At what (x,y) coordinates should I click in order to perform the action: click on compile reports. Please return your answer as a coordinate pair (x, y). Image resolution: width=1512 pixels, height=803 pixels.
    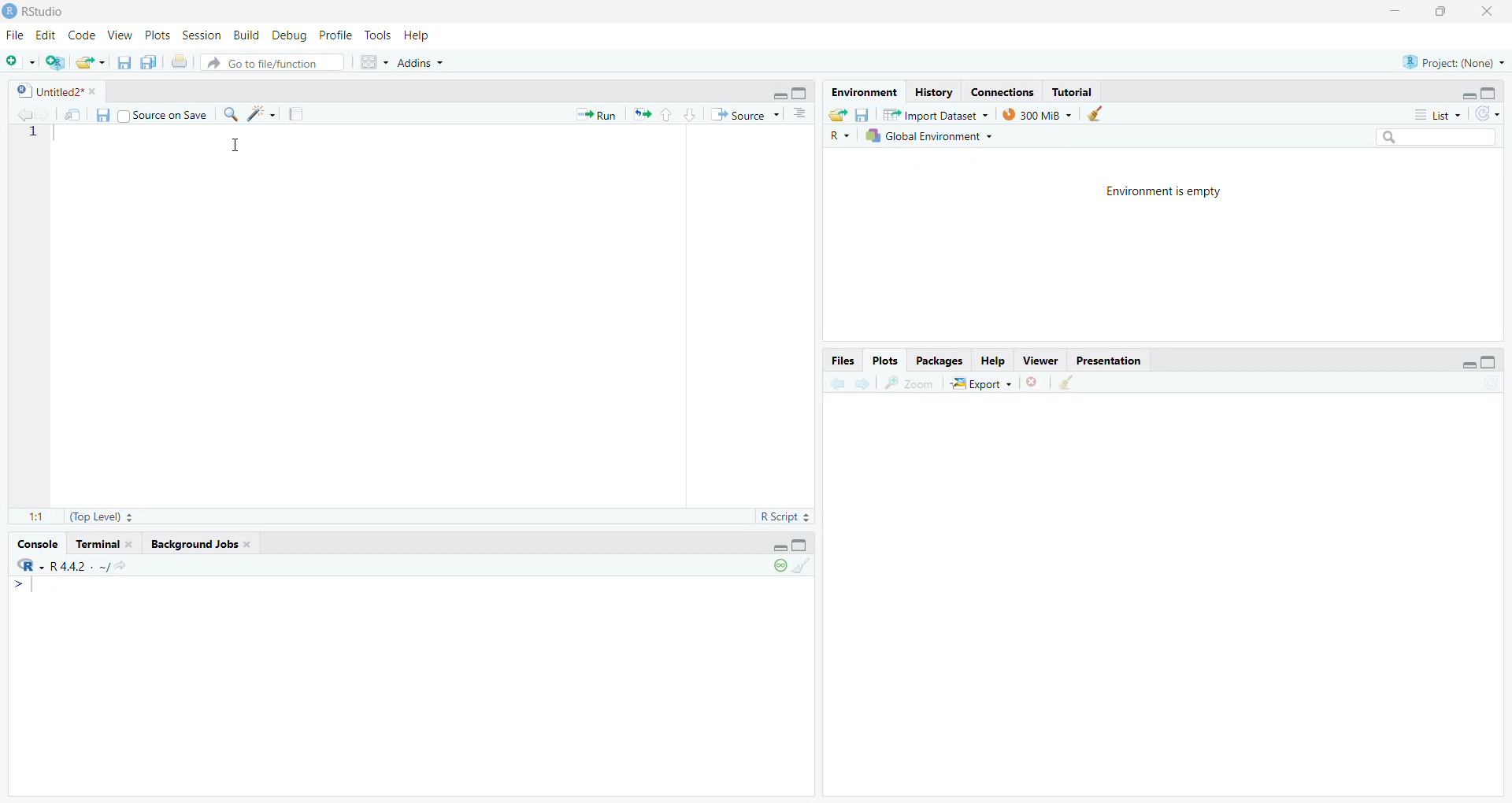
    Looking at the image, I should click on (296, 115).